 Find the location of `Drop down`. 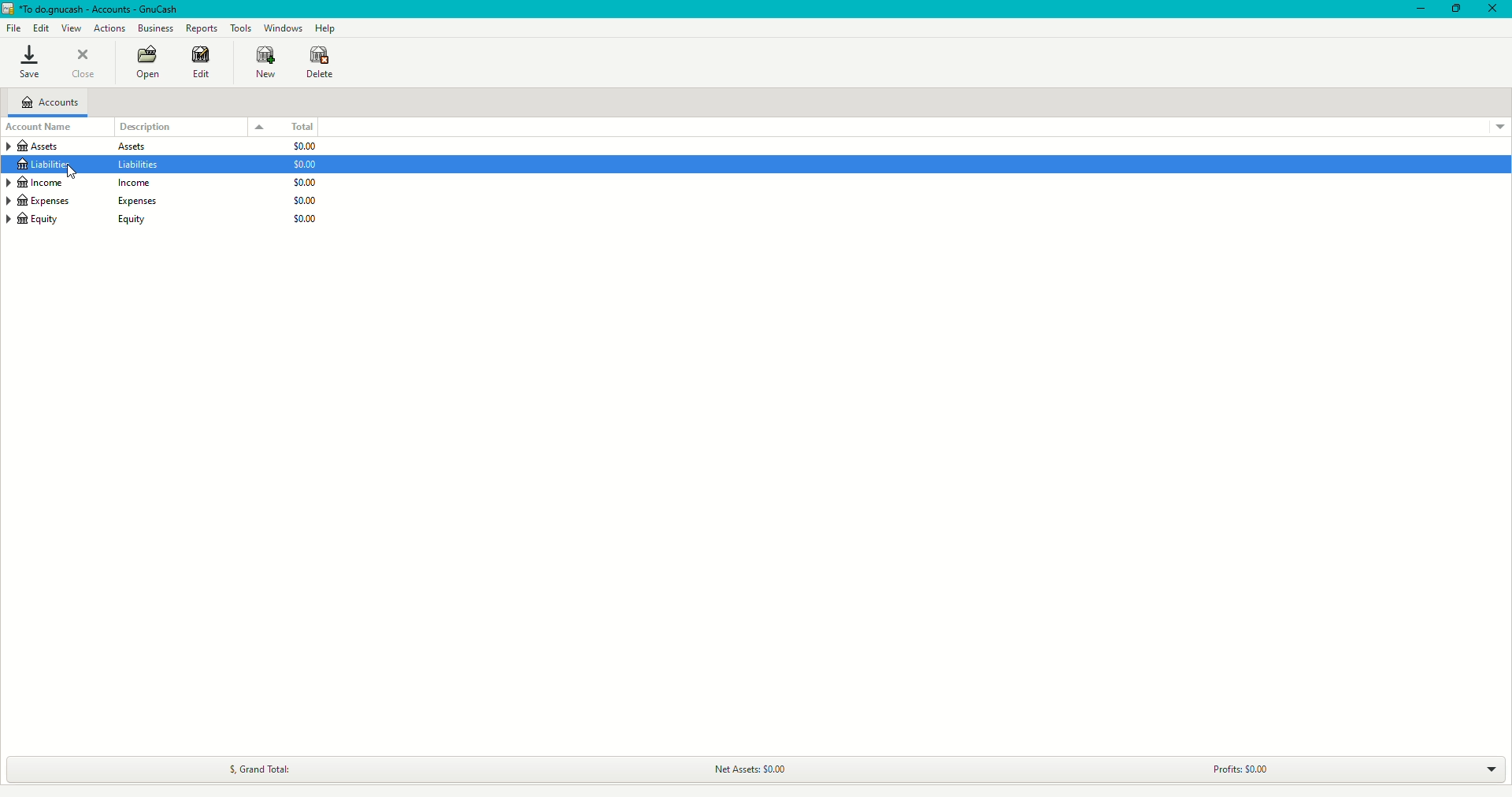

Drop down is located at coordinates (1495, 126).